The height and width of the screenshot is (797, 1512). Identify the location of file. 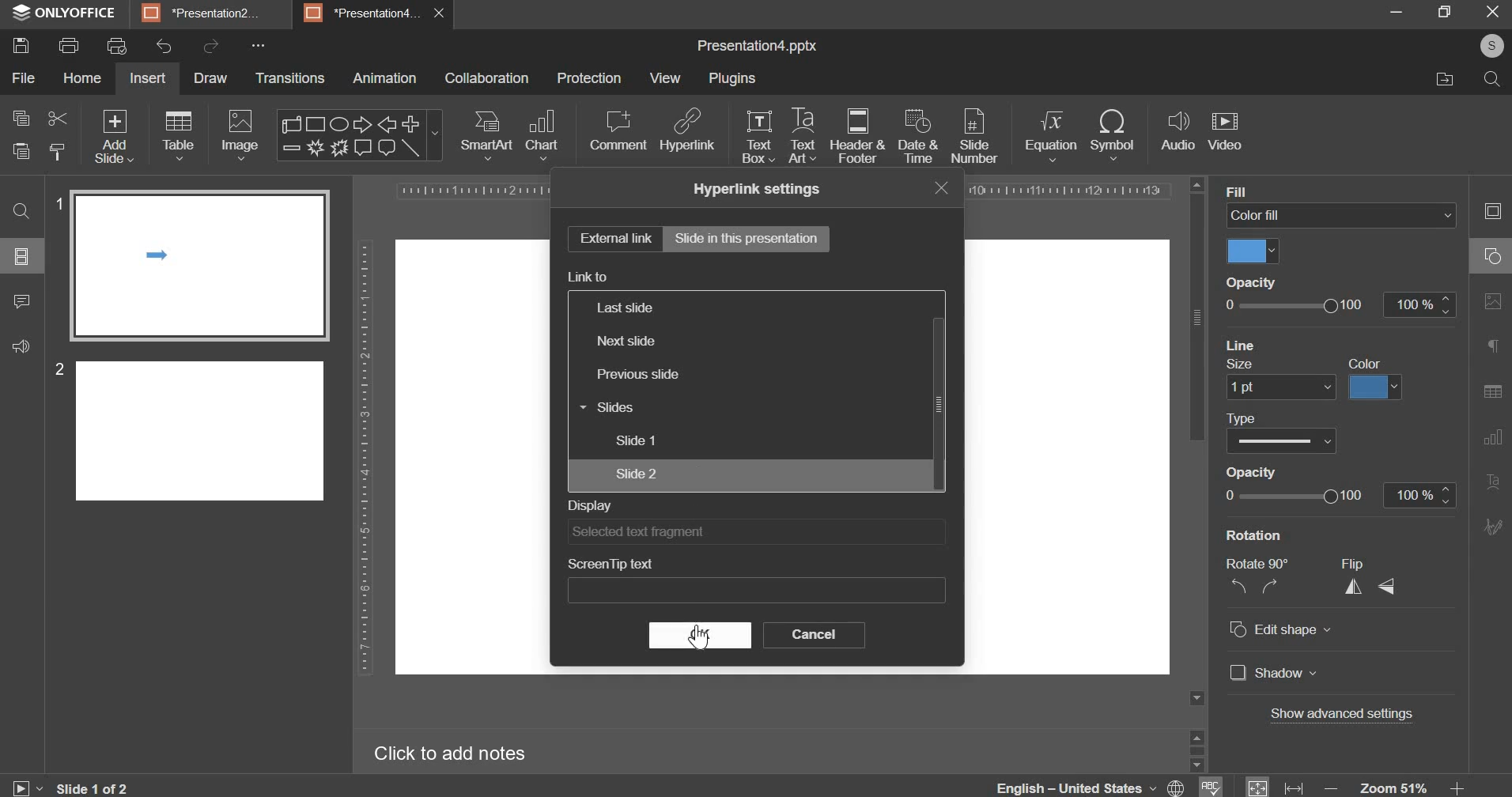
(25, 78).